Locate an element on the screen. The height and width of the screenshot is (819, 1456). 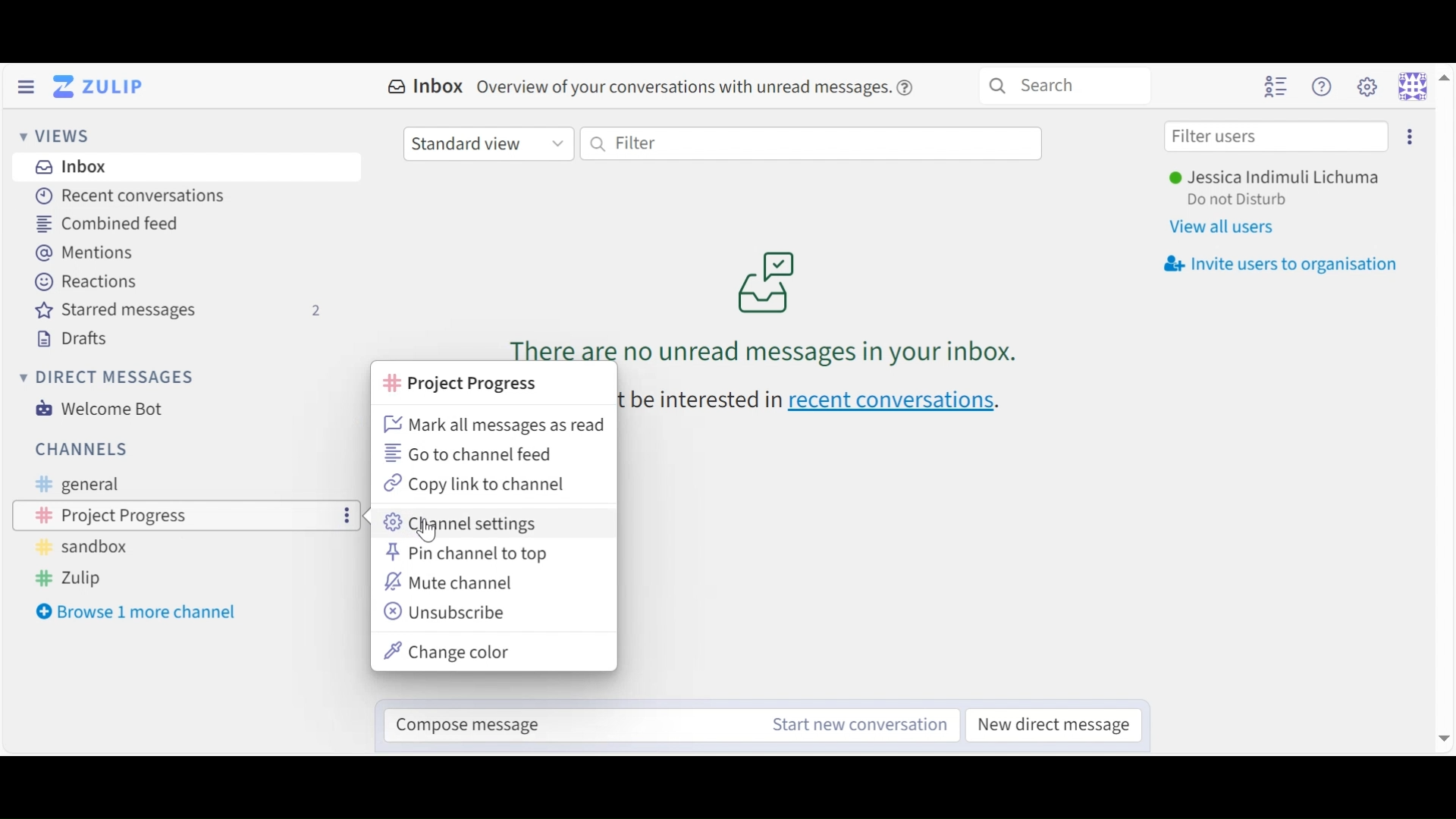
Recent Conversations is located at coordinates (129, 197).